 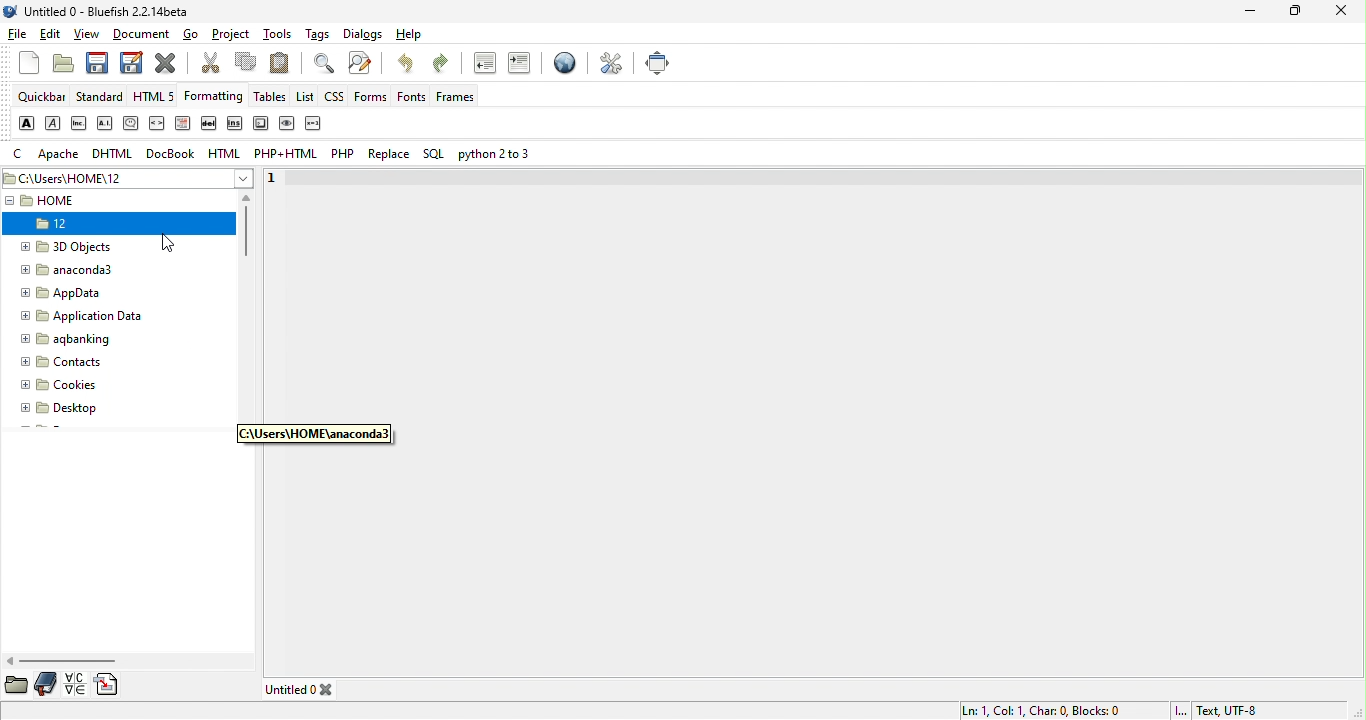 What do you see at coordinates (69, 201) in the screenshot?
I see `home` at bounding box center [69, 201].